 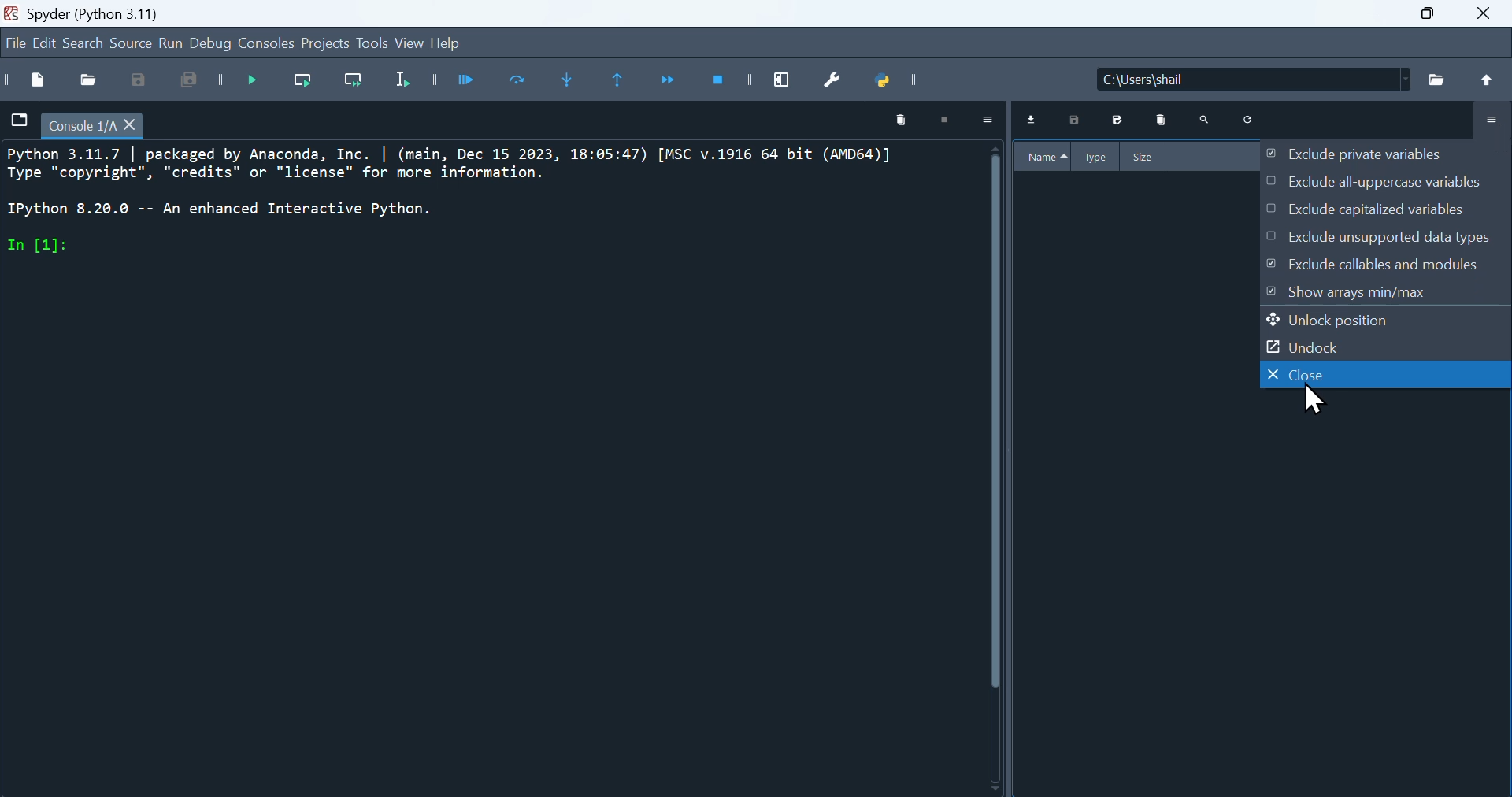 I want to click on Exclude unsupported data types, so click(x=1383, y=240).